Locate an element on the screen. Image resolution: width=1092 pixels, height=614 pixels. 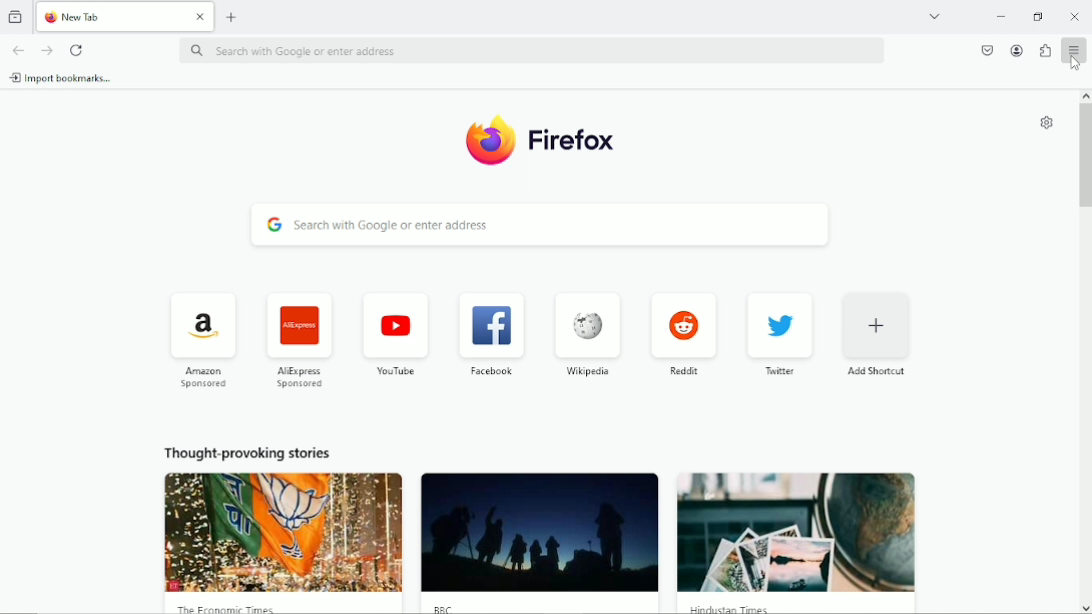
save to pocket is located at coordinates (986, 51).